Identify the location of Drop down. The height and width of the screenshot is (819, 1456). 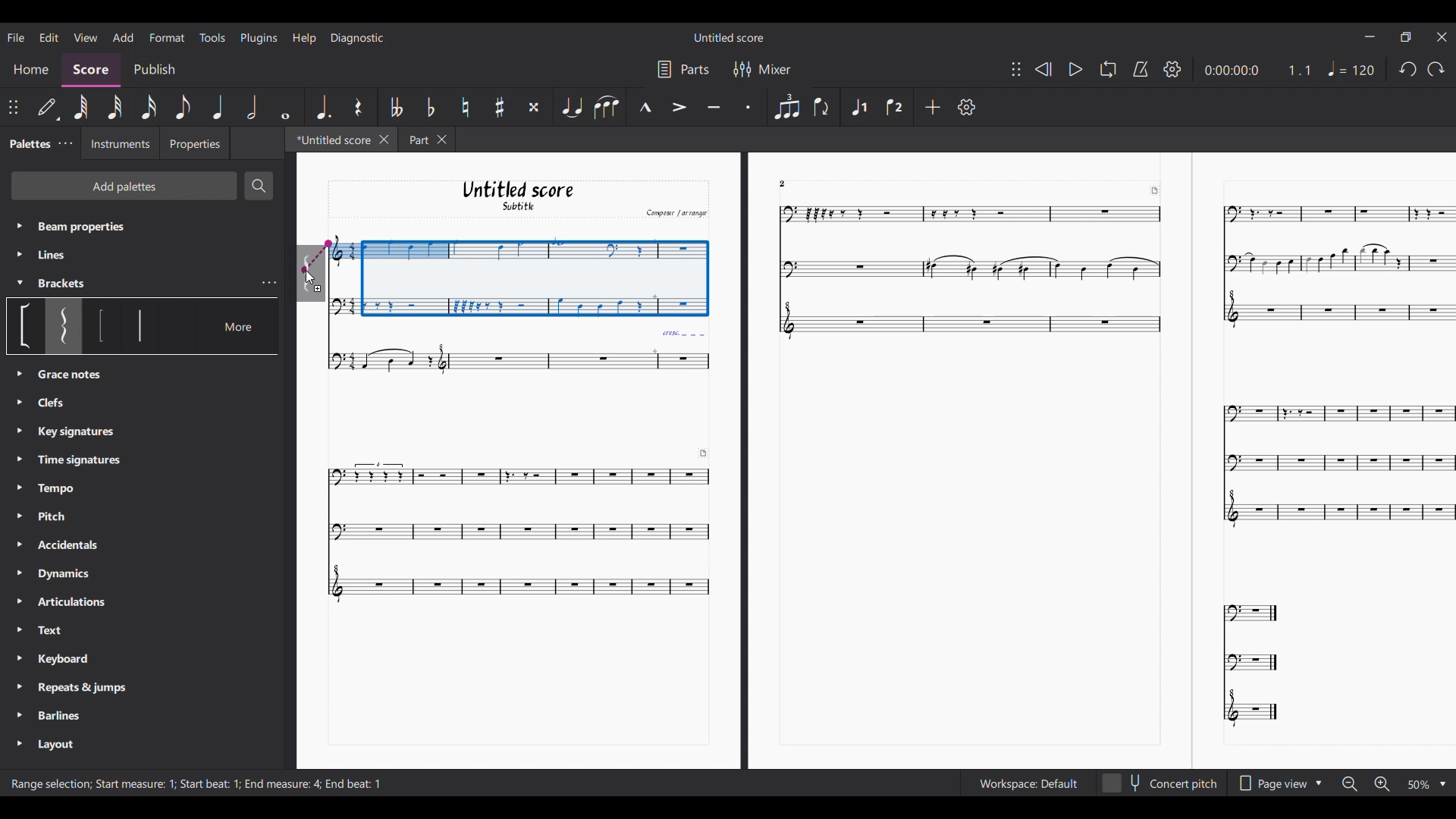
(1321, 782).